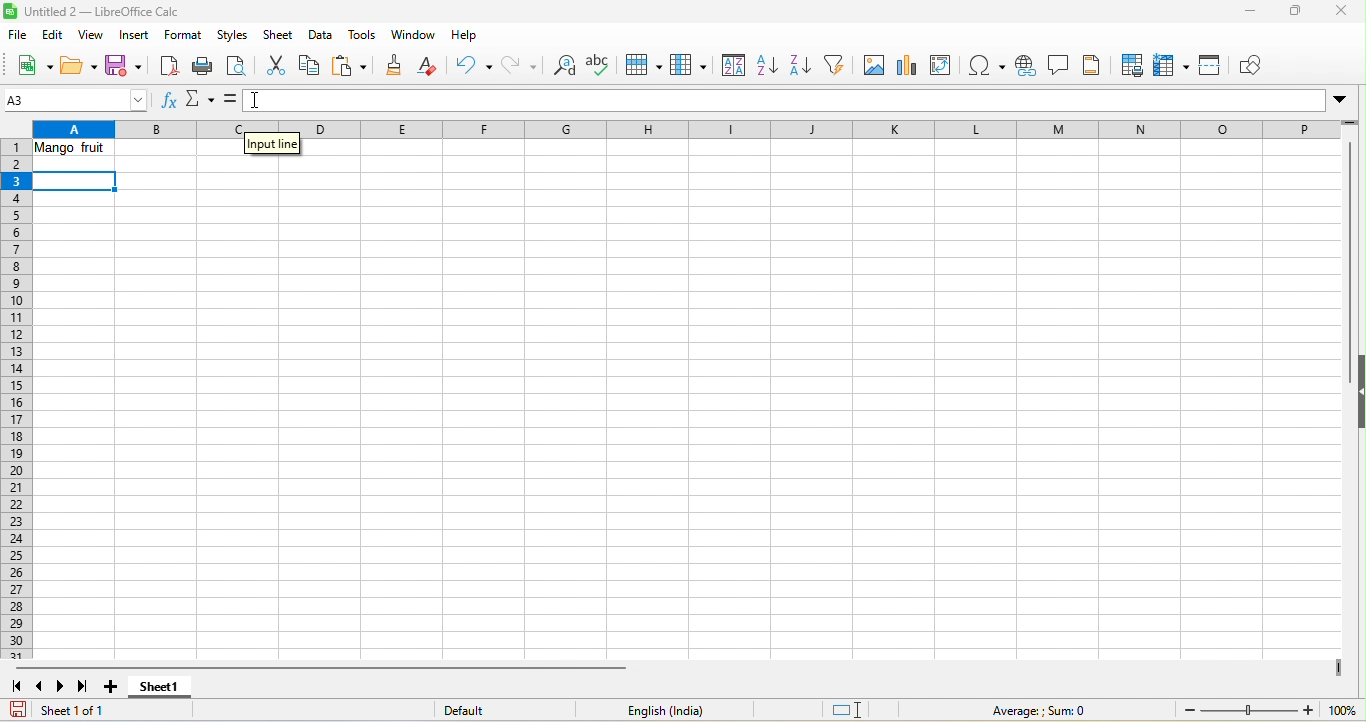  Describe the element at coordinates (117, 687) in the screenshot. I see `add sheet` at that location.